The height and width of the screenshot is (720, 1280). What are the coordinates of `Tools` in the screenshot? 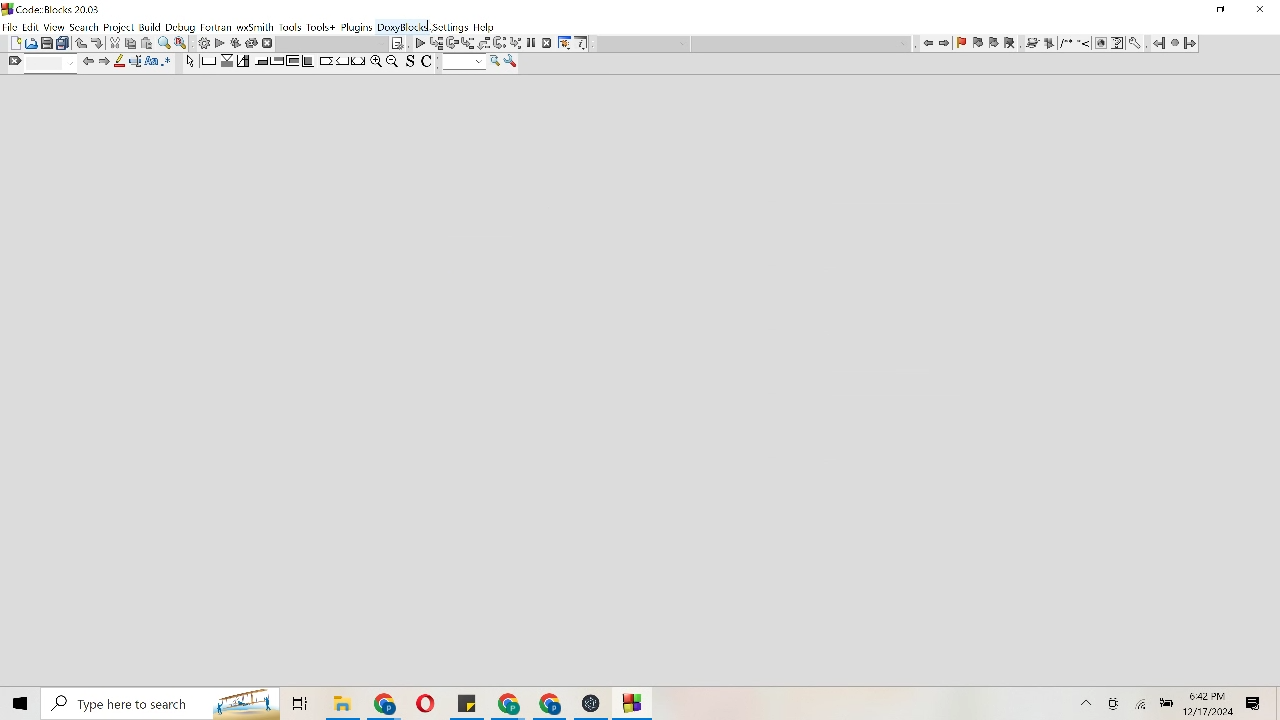 It's located at (512, 62).